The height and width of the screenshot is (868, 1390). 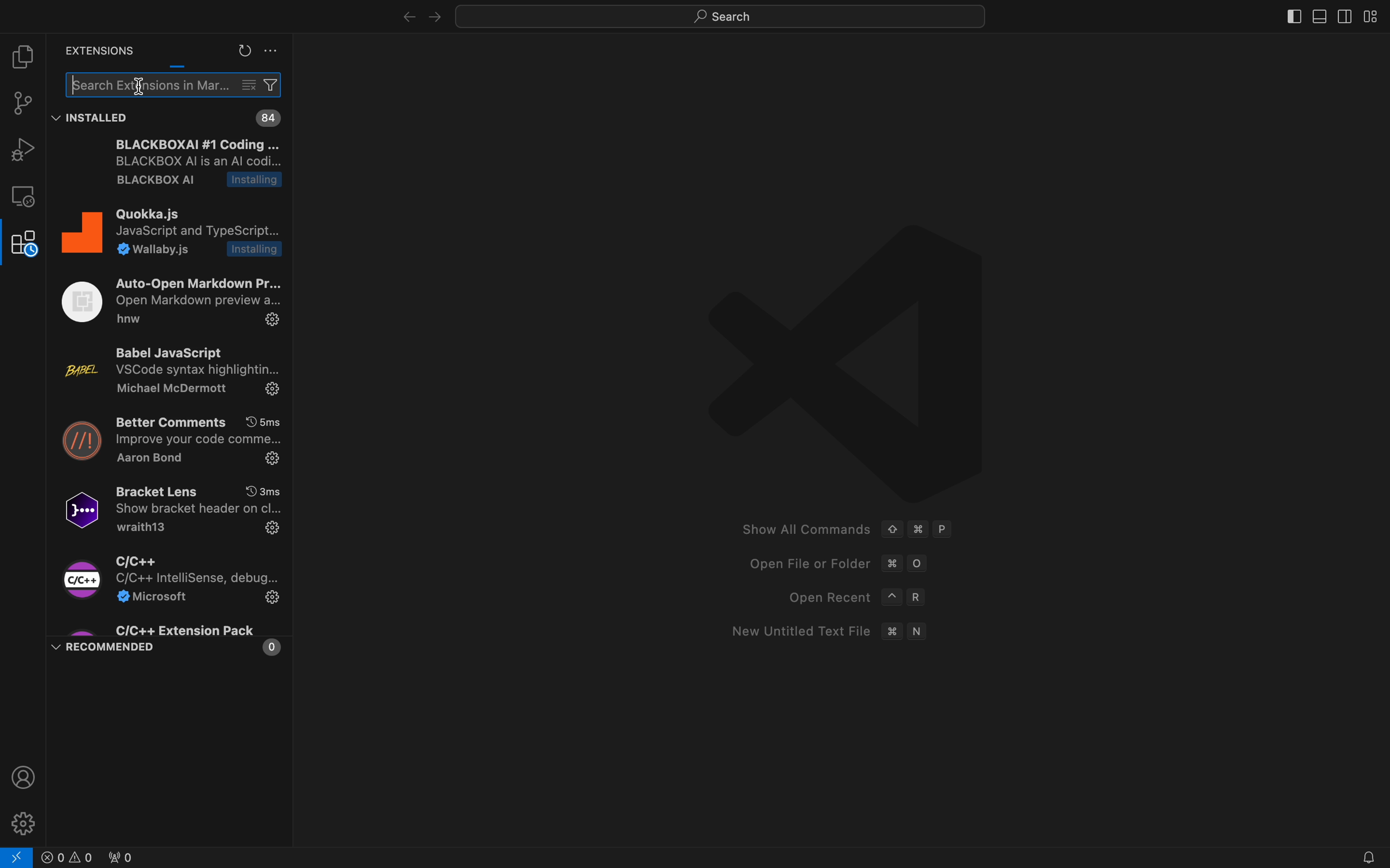 I want to click on Babel Javascript VSCode syntac highlighting Michael Mcdermot, so click(x=179, y=377).